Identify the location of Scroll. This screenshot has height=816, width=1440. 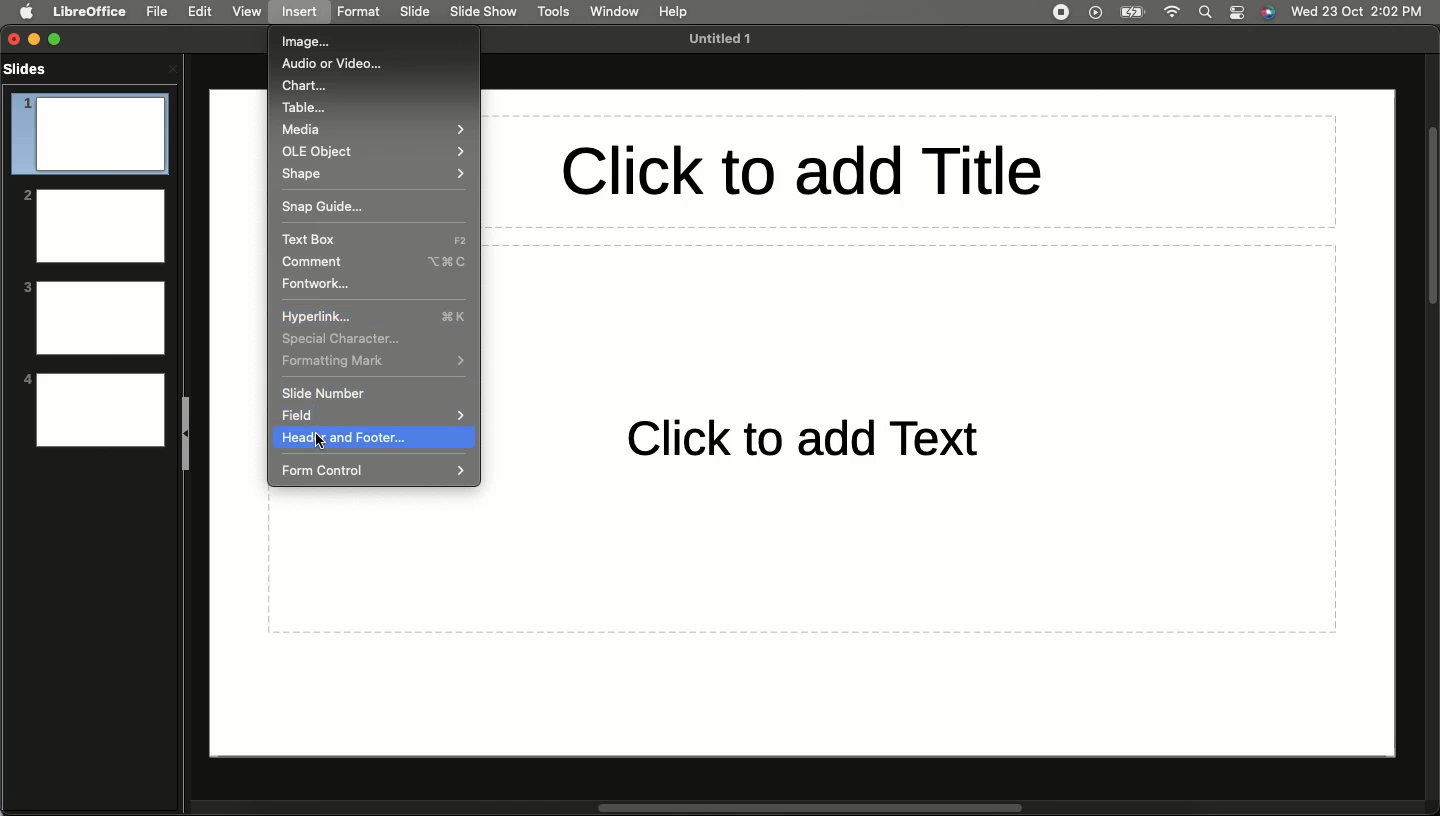
(805, 808).